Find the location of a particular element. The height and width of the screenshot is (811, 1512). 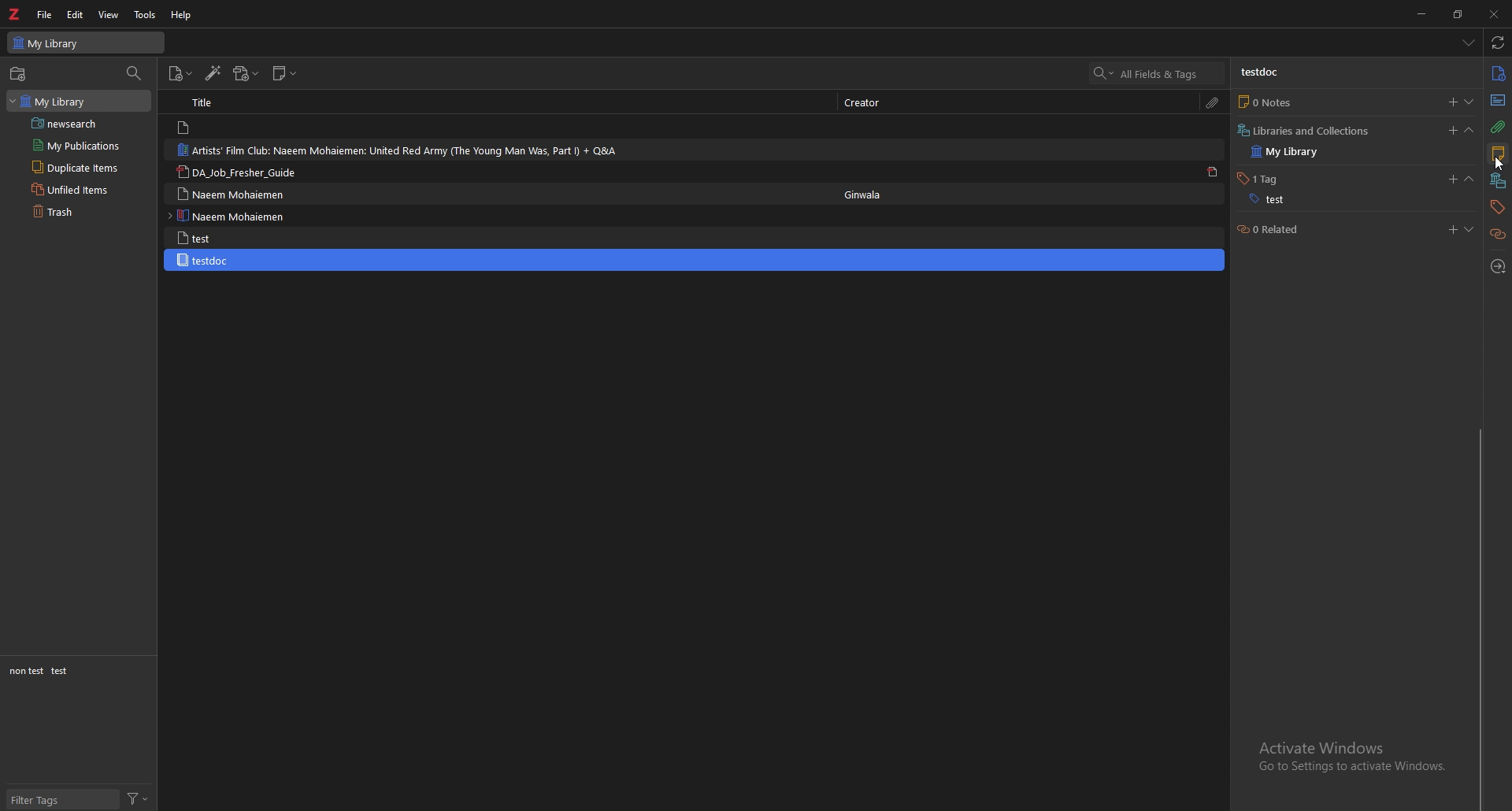

testdoc is located at coordinates (1265, 73).